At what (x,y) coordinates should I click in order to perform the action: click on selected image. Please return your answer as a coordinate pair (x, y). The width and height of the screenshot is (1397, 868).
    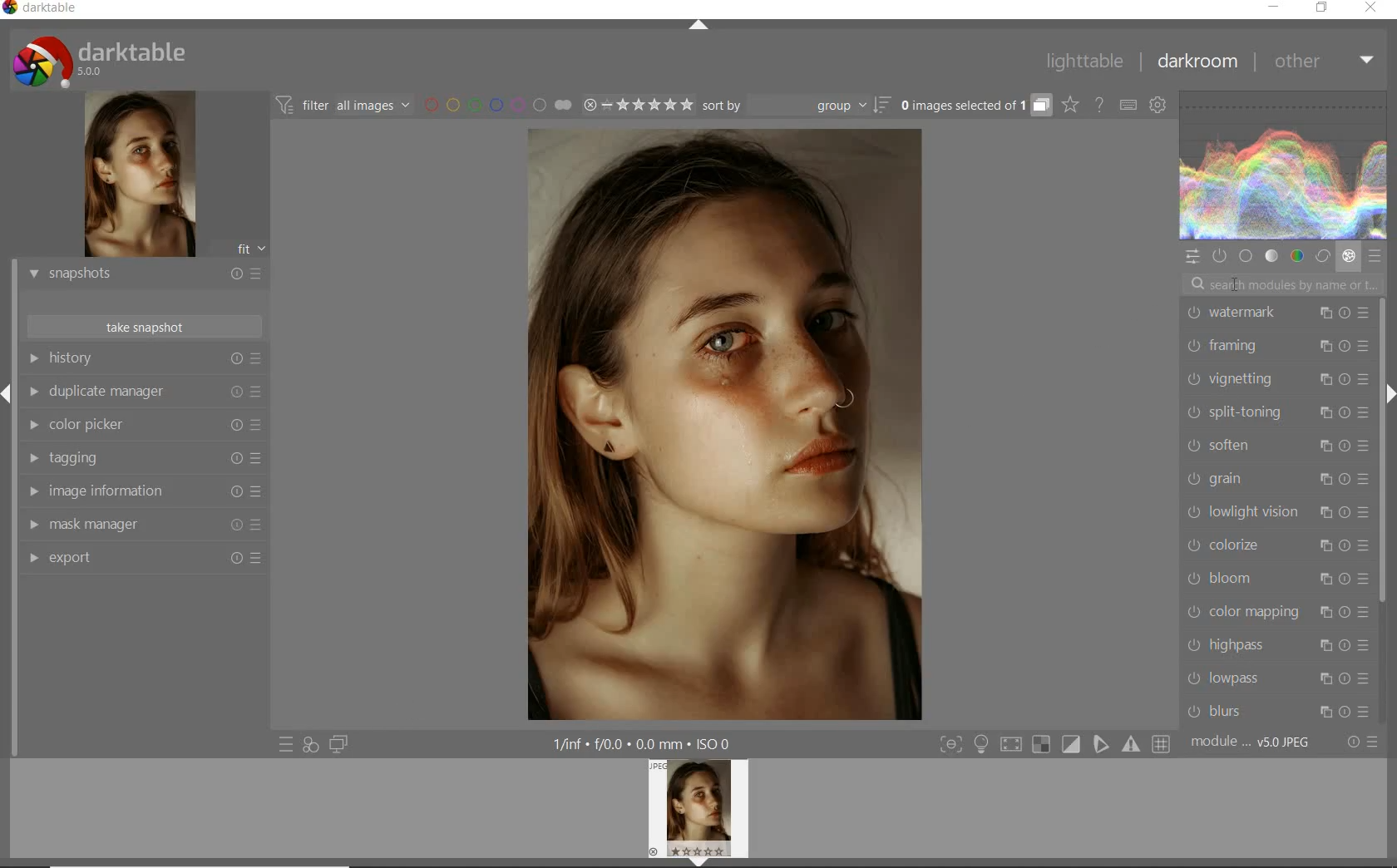
    Looking at the image, I should click on (720, 423).